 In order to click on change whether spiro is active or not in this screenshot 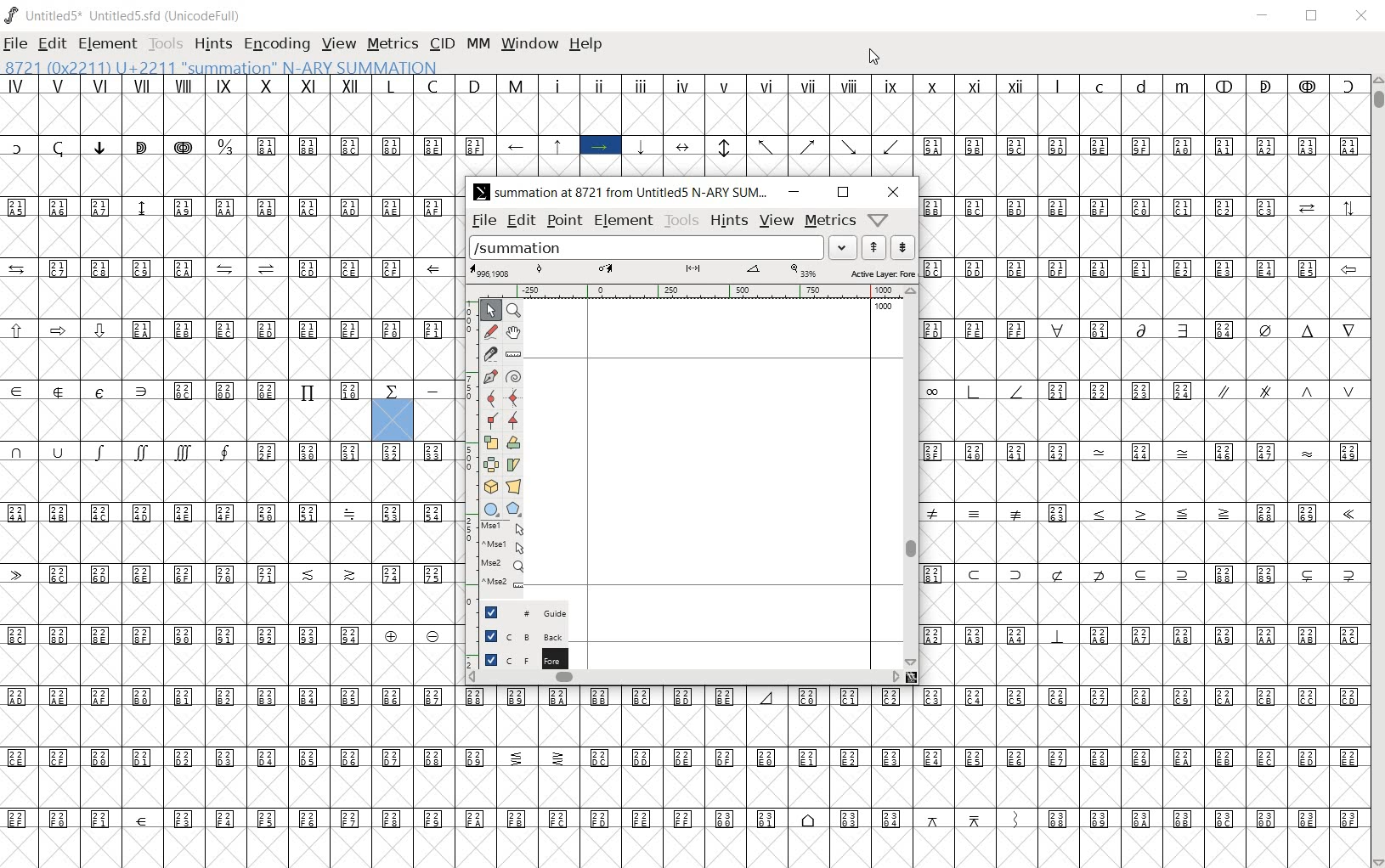, I will do `click(514, 375)`.